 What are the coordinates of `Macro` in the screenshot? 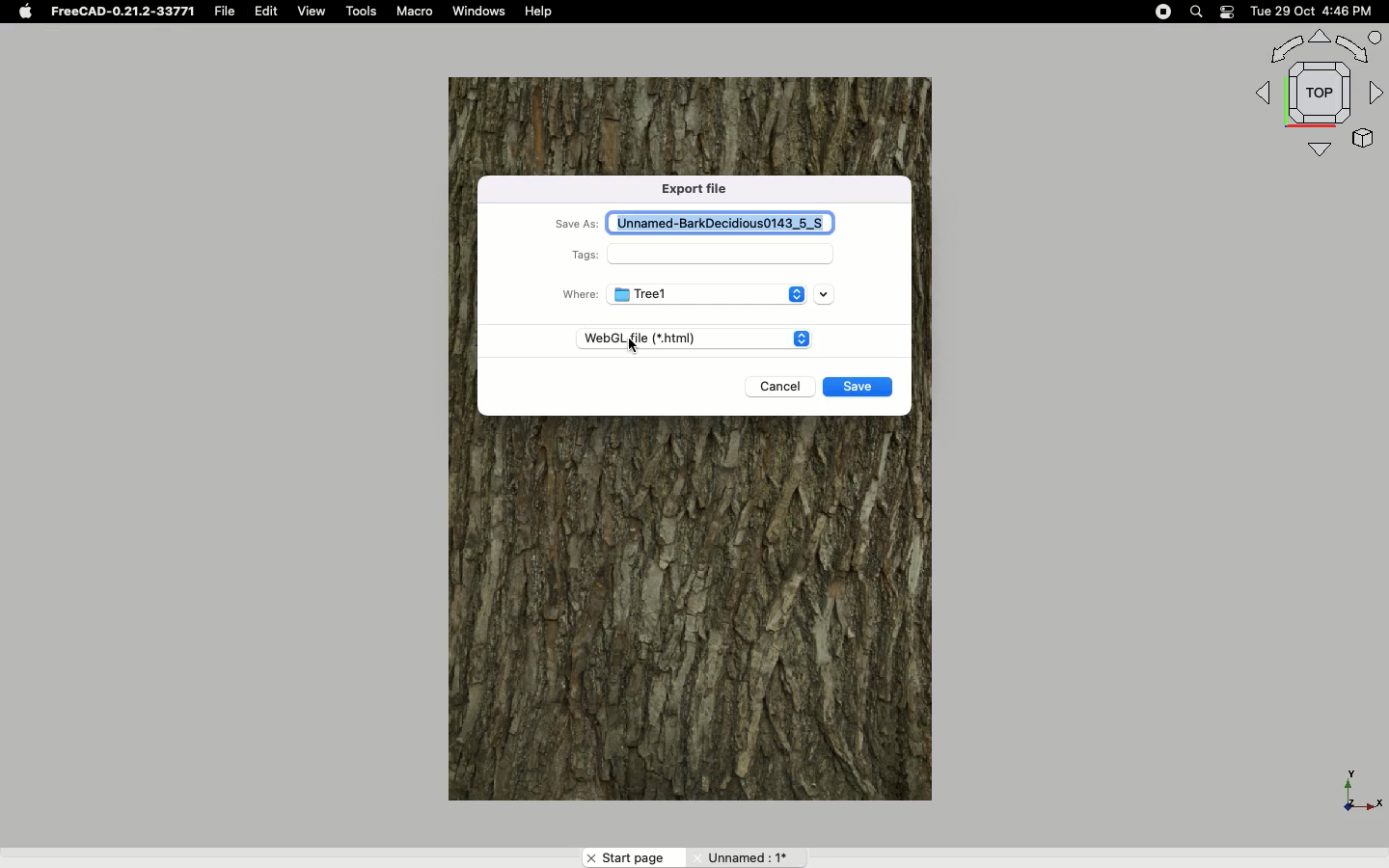 It's located at (419, 14).